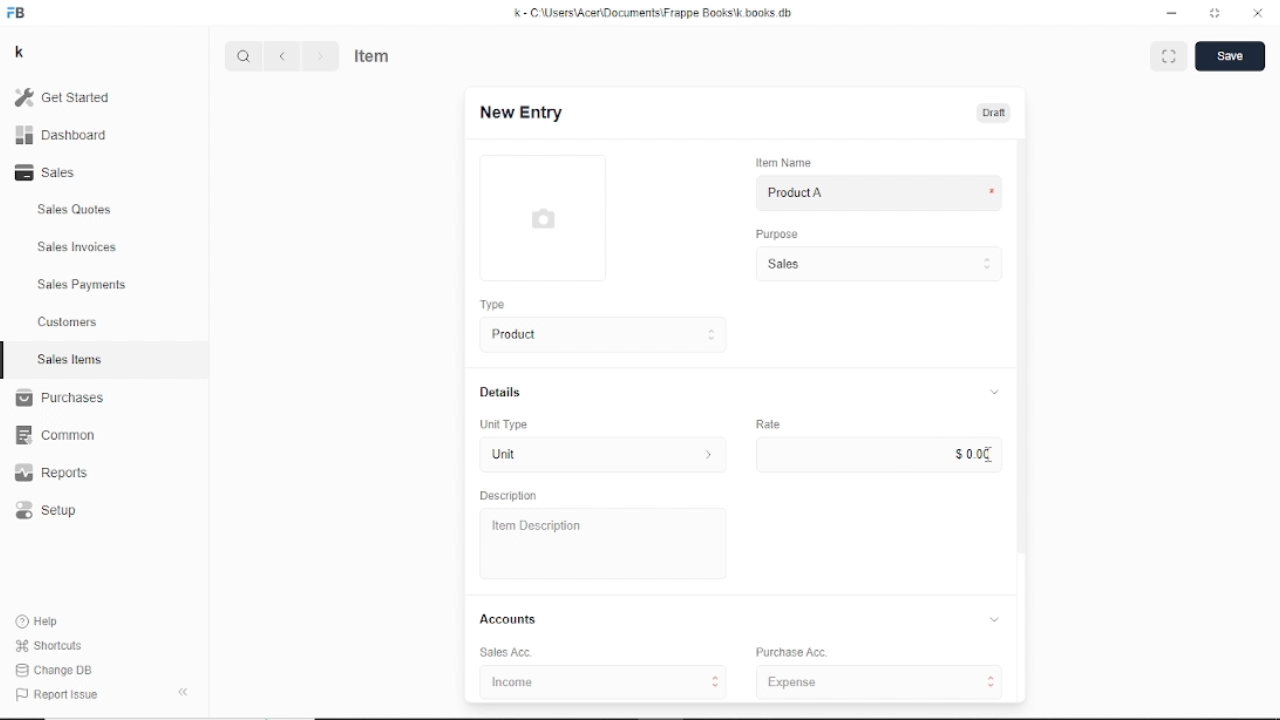 This screenshot has width=1280, height=720. I want to click on Minimize, so click(1173, 14).